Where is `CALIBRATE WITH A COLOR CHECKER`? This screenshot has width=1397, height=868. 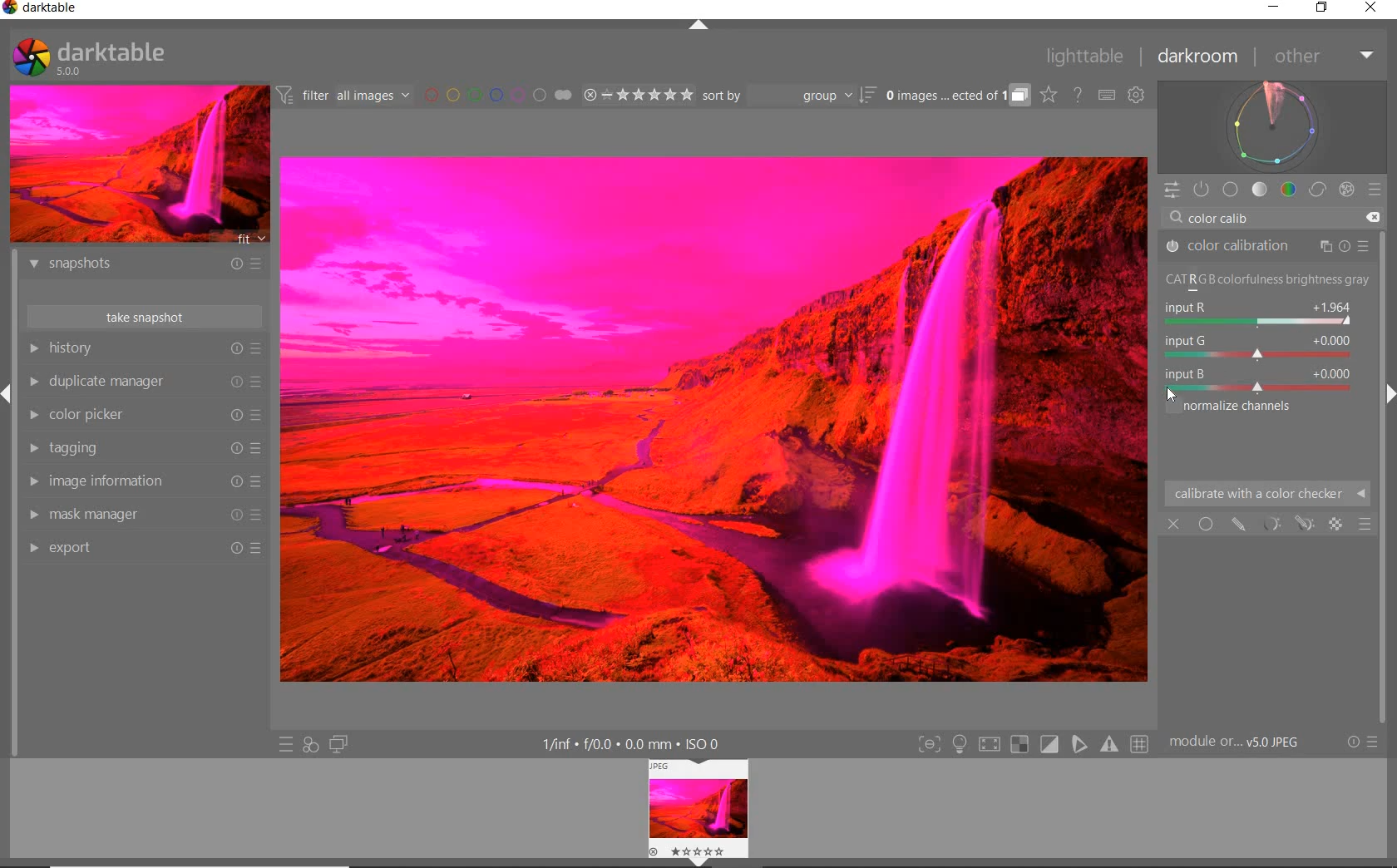 CALIBRATE WITH A COLOR CHECKER is located at coordinates (1267, 493).